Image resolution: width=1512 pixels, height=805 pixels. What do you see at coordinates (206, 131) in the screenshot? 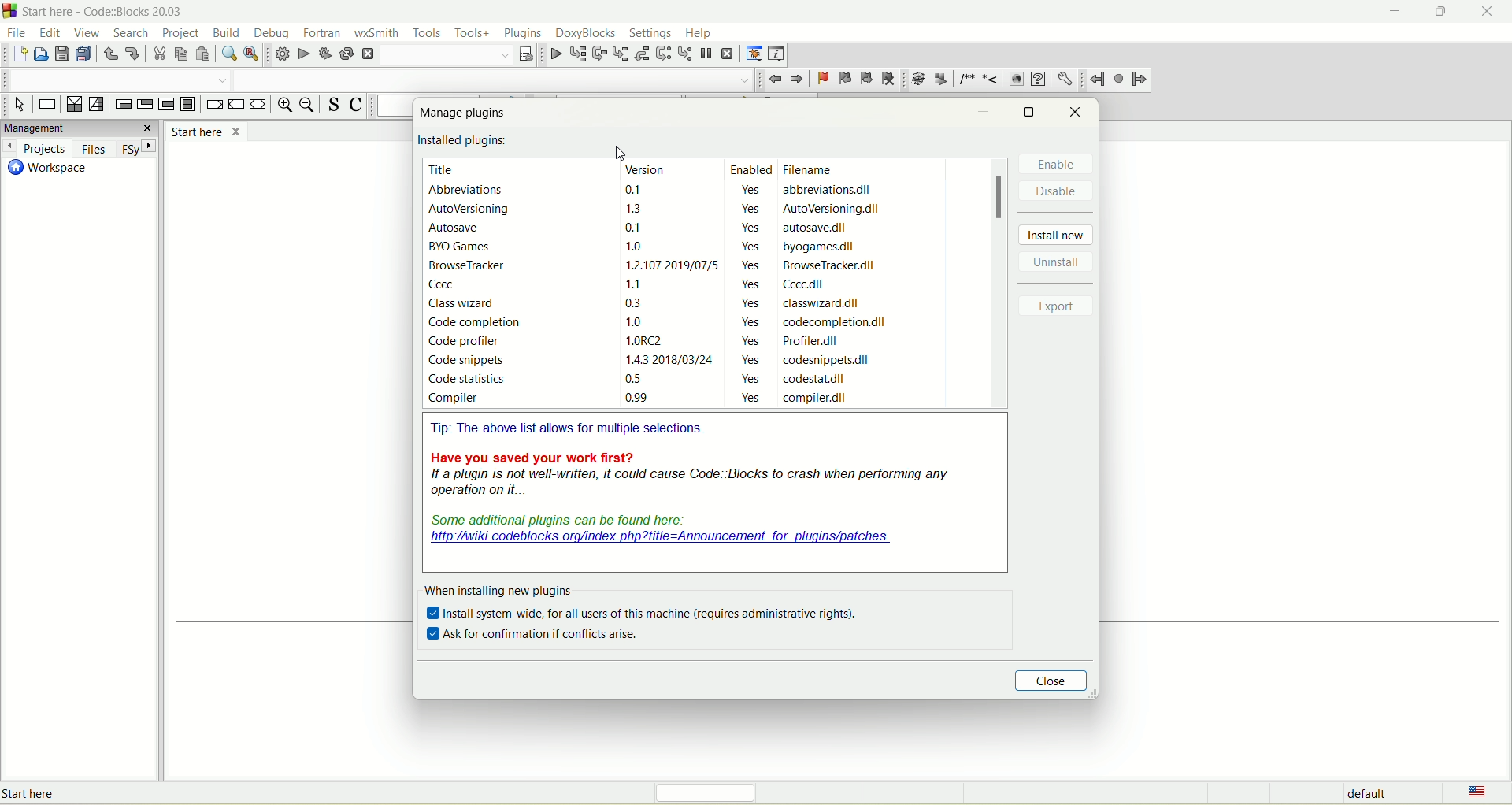
I see `start here` at bounding box center [206, 131].